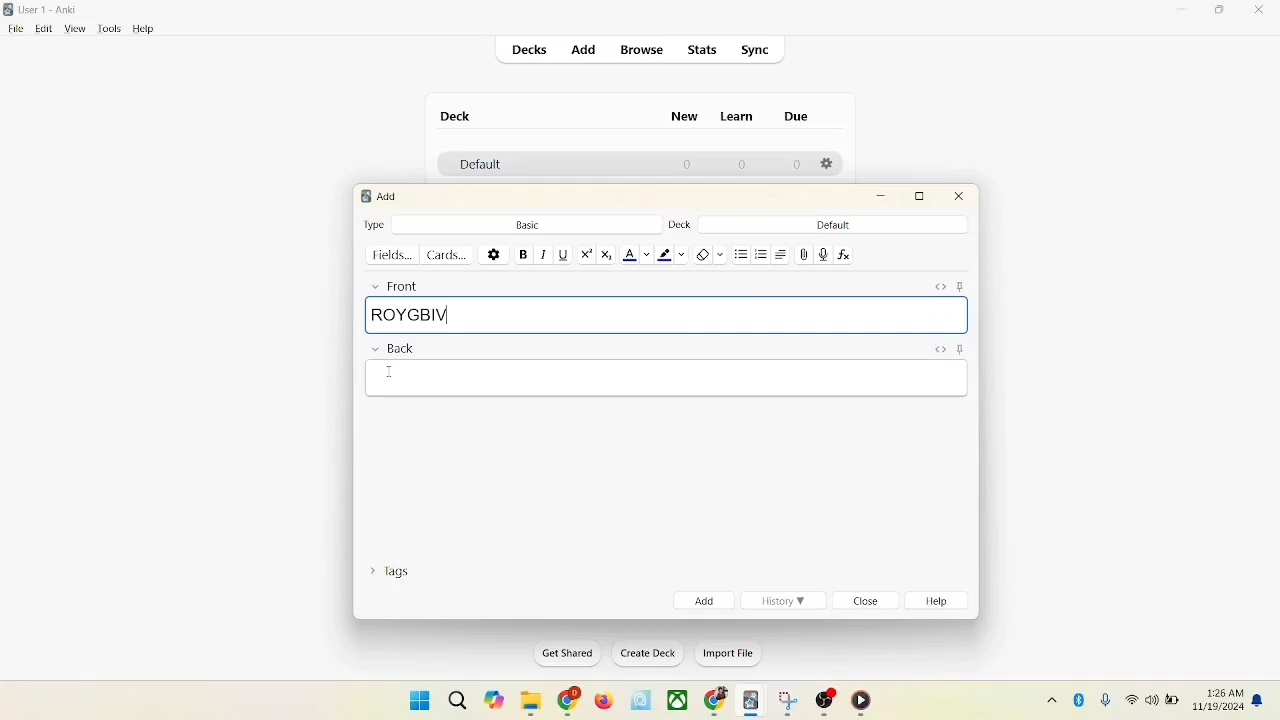  What do you see at coordinates (1048, 699) in the screenshot?
I see `show hidden icon` at bounding box center [1048, 699].